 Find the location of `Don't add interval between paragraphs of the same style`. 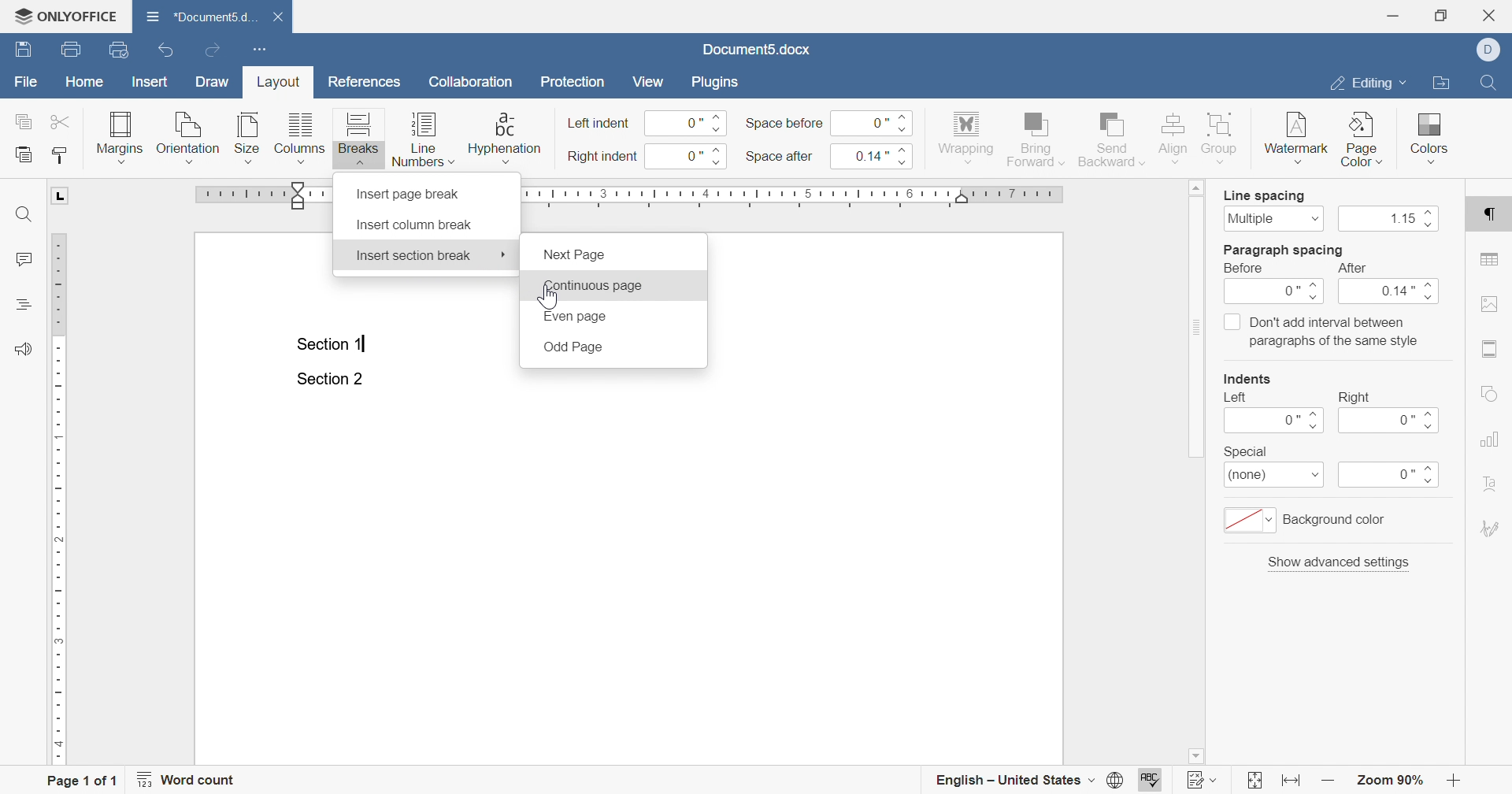

Don't add interval between paragraphs of the same style is located at coordinates (1321, 331).